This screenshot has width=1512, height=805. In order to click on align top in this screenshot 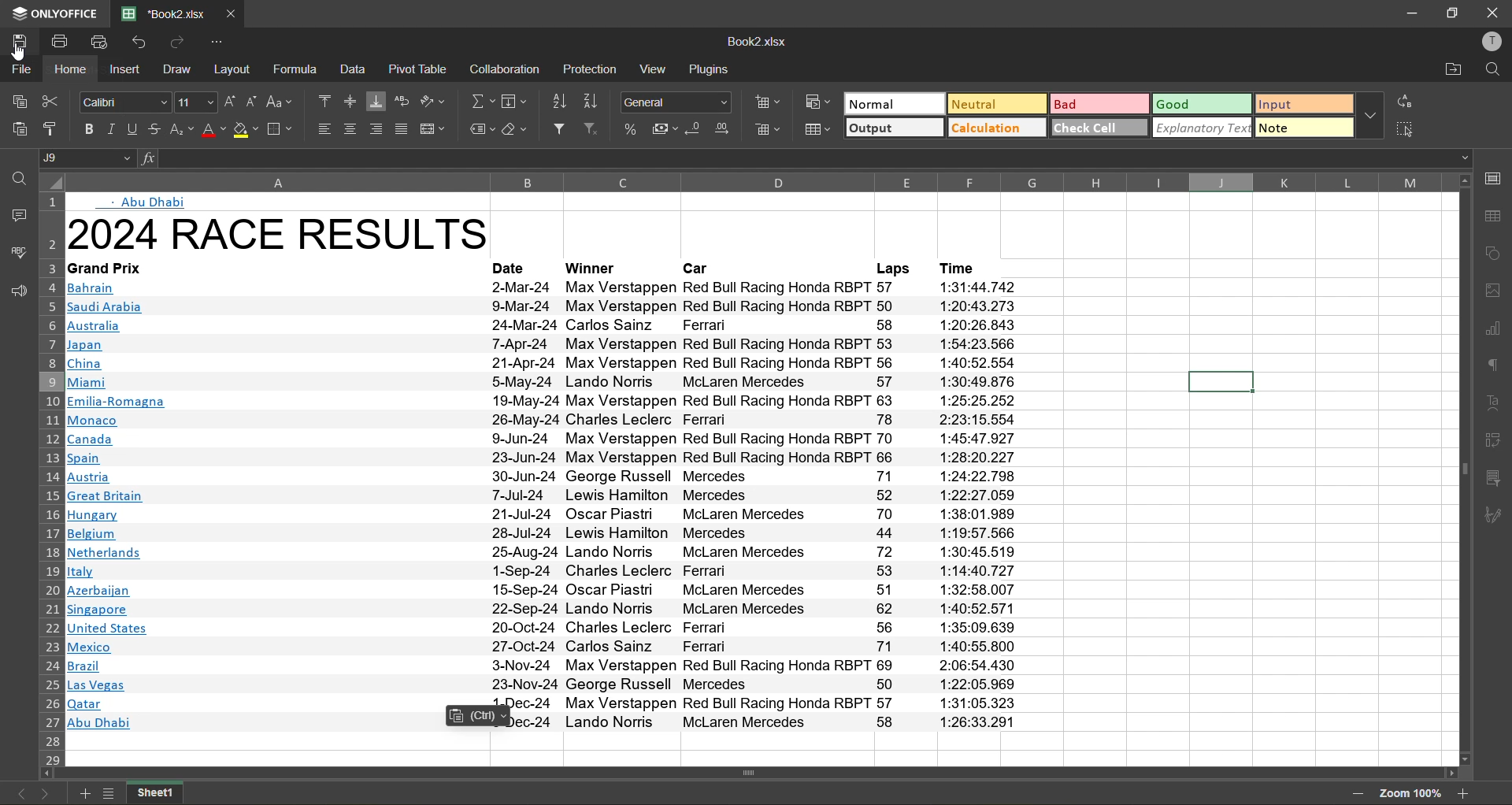, I will do `click(326, 100)`.